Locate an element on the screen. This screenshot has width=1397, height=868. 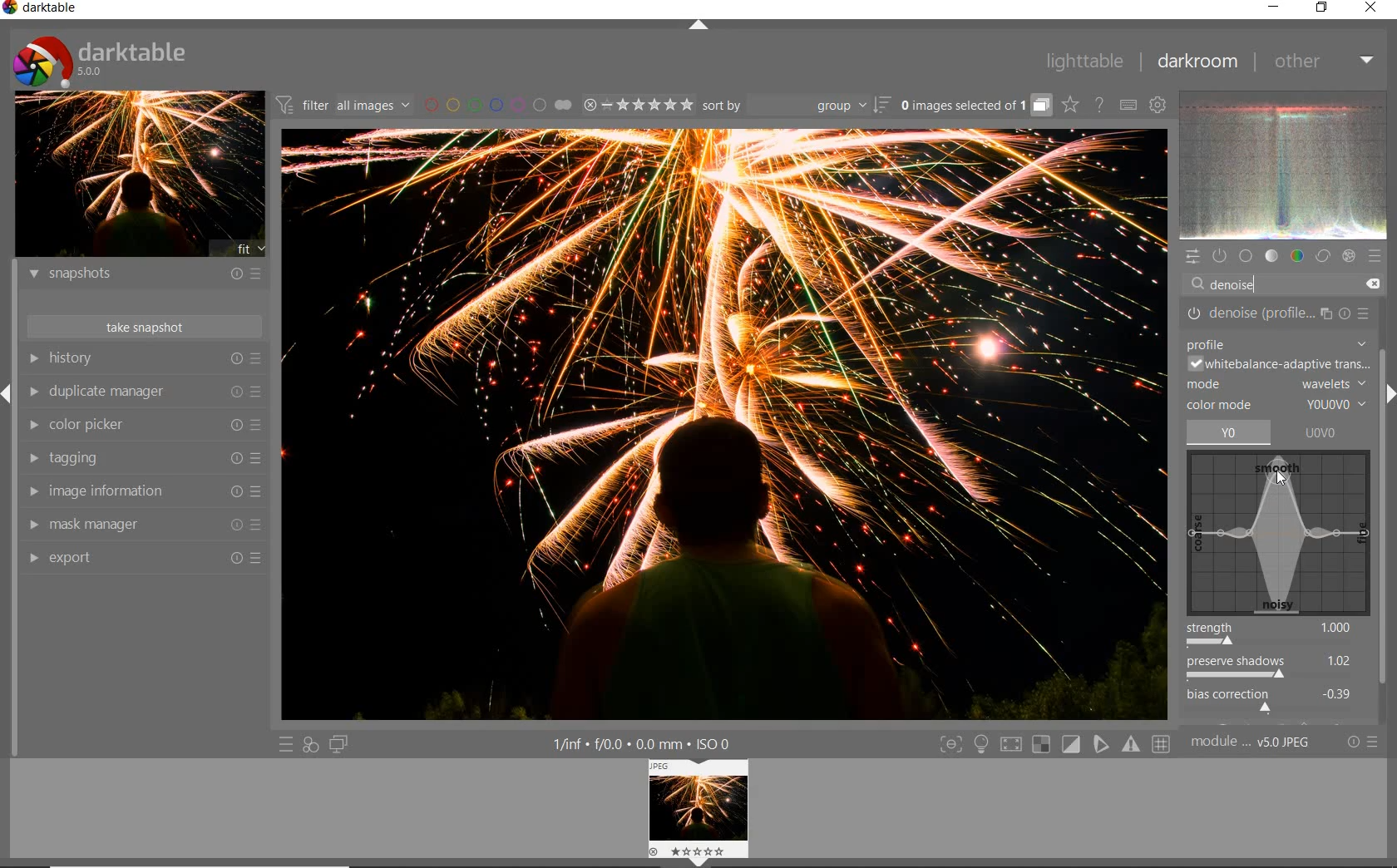
enable online help is located at coordinates (1102, 106).